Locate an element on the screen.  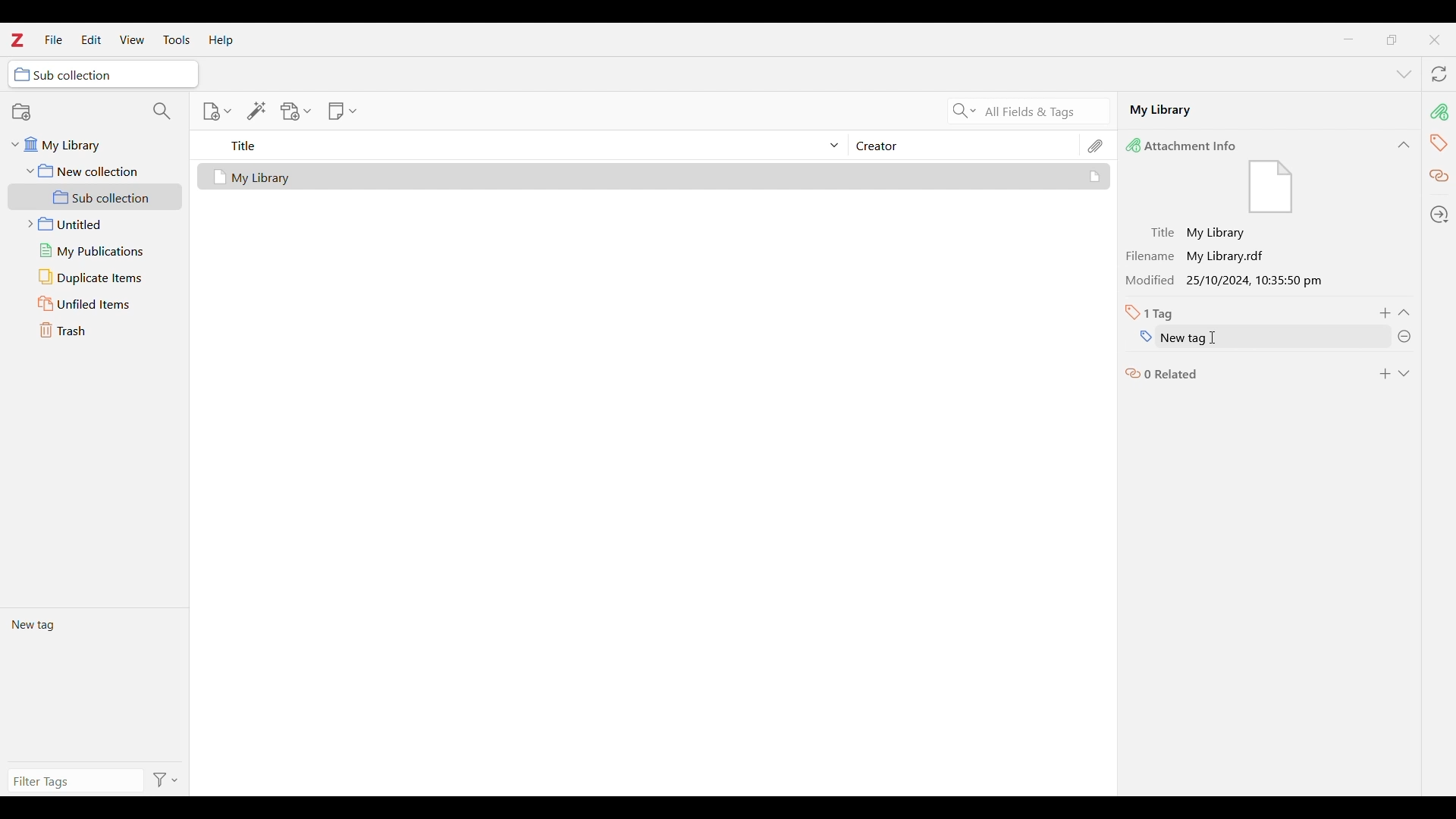
Remove is located at coordinates (1404, 337).